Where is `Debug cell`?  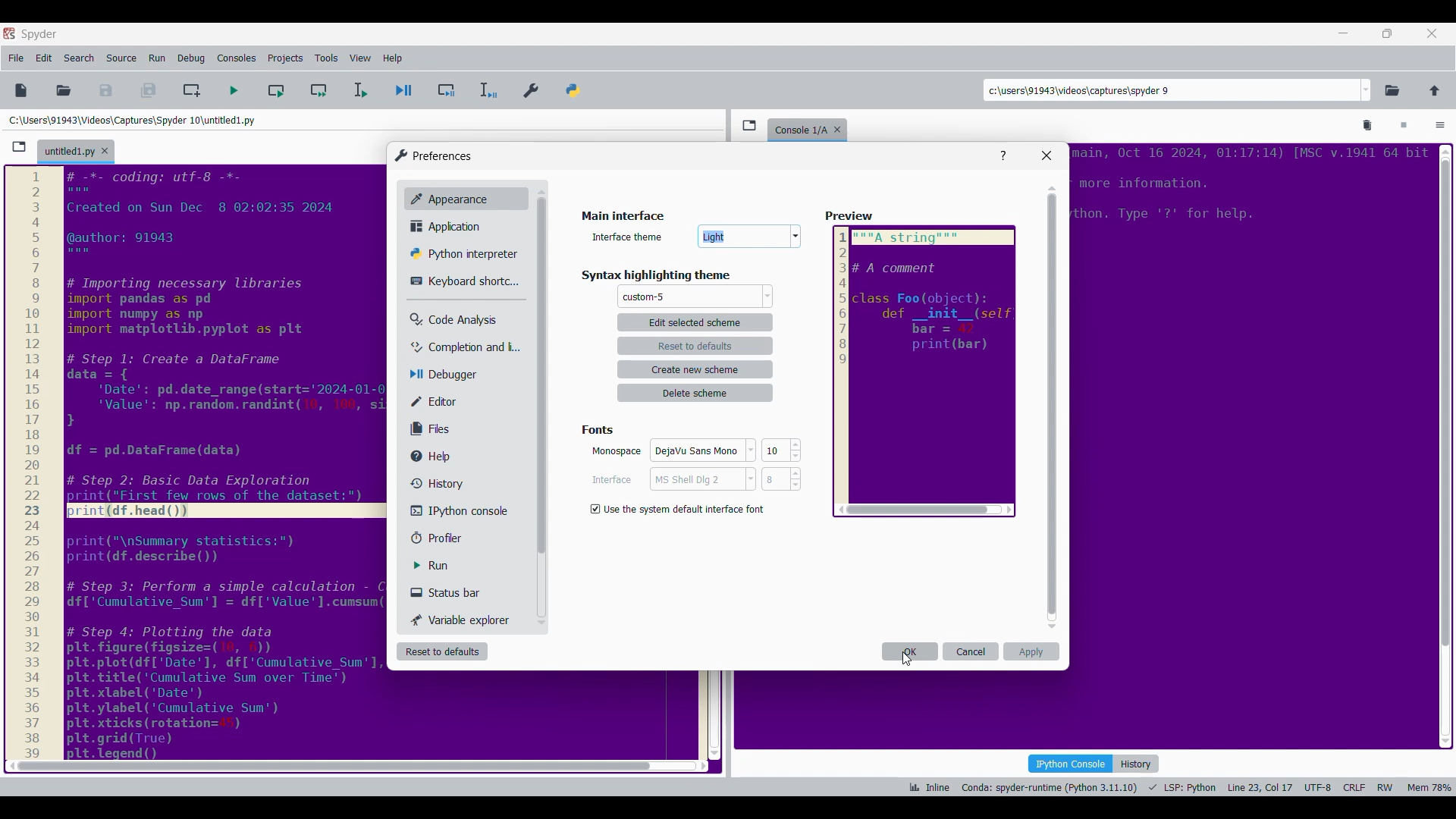
Debug cell is located at coordinates (447, 90).